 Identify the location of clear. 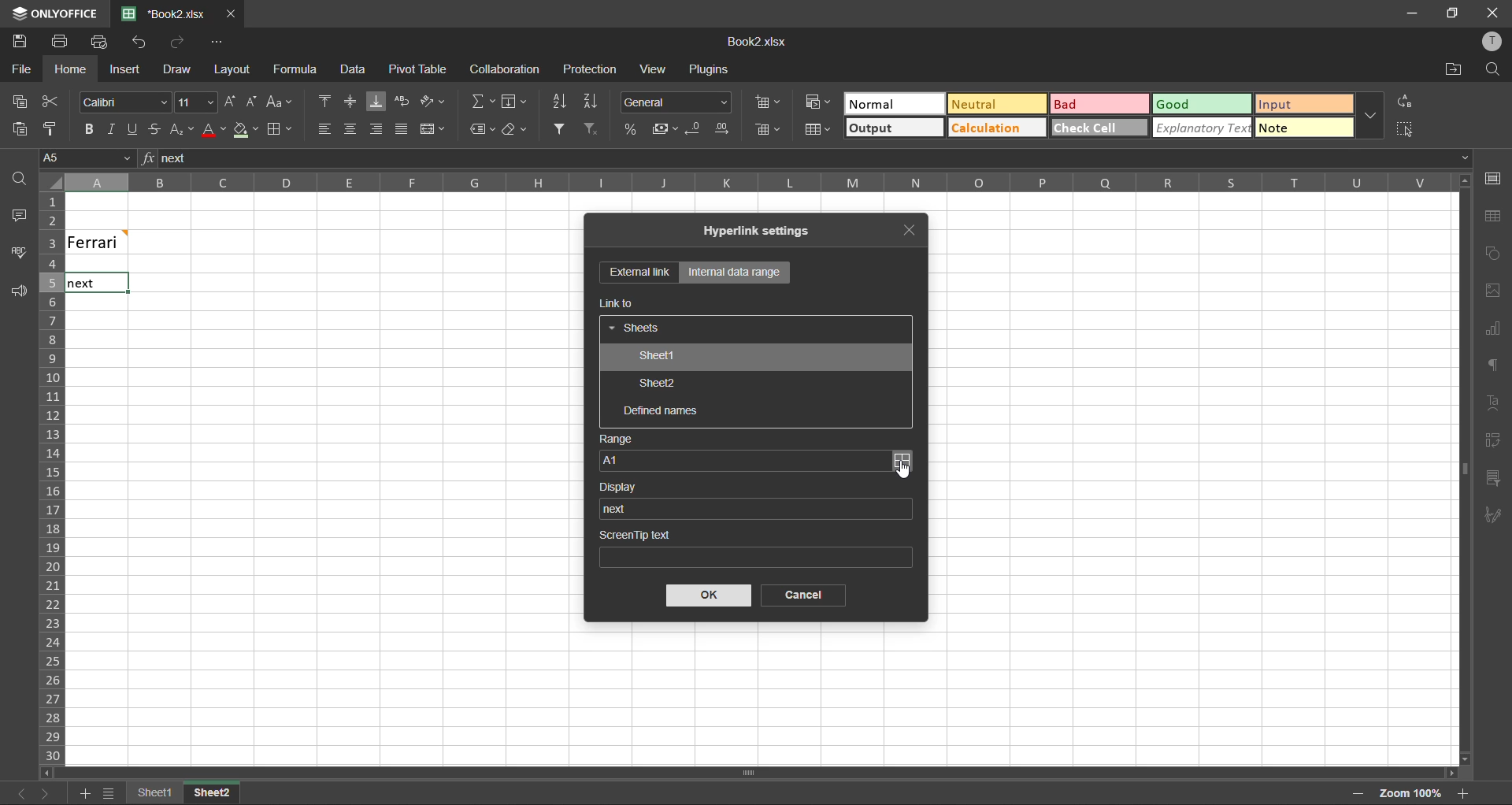
(517, 132).